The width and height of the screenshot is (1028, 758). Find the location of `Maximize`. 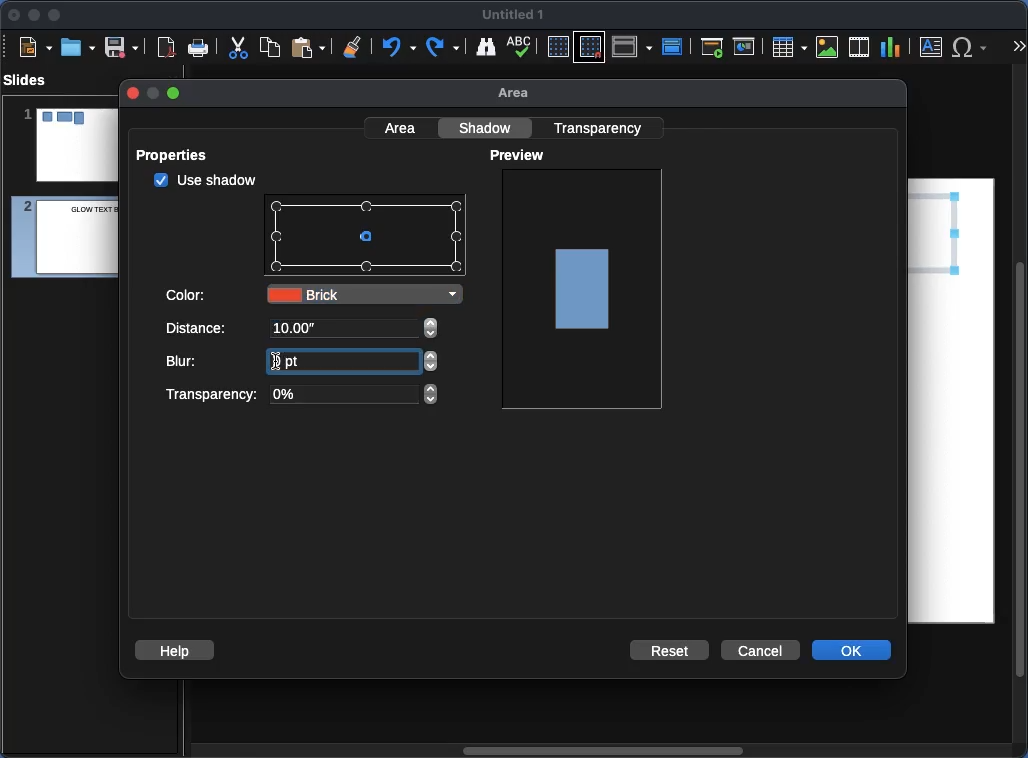

Maximize is located at coordinates (55, 17).